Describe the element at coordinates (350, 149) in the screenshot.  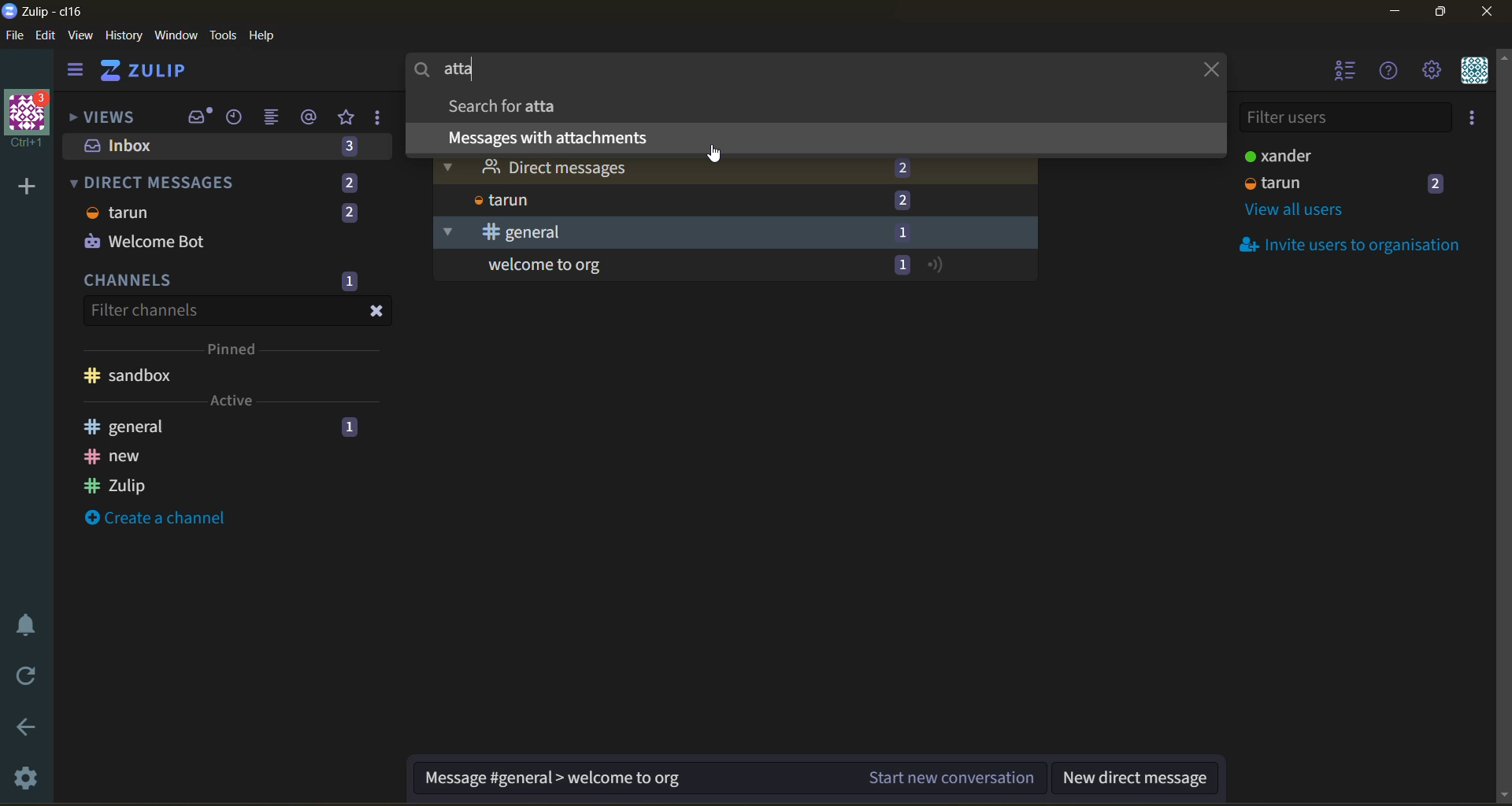
I see `3` at that location.